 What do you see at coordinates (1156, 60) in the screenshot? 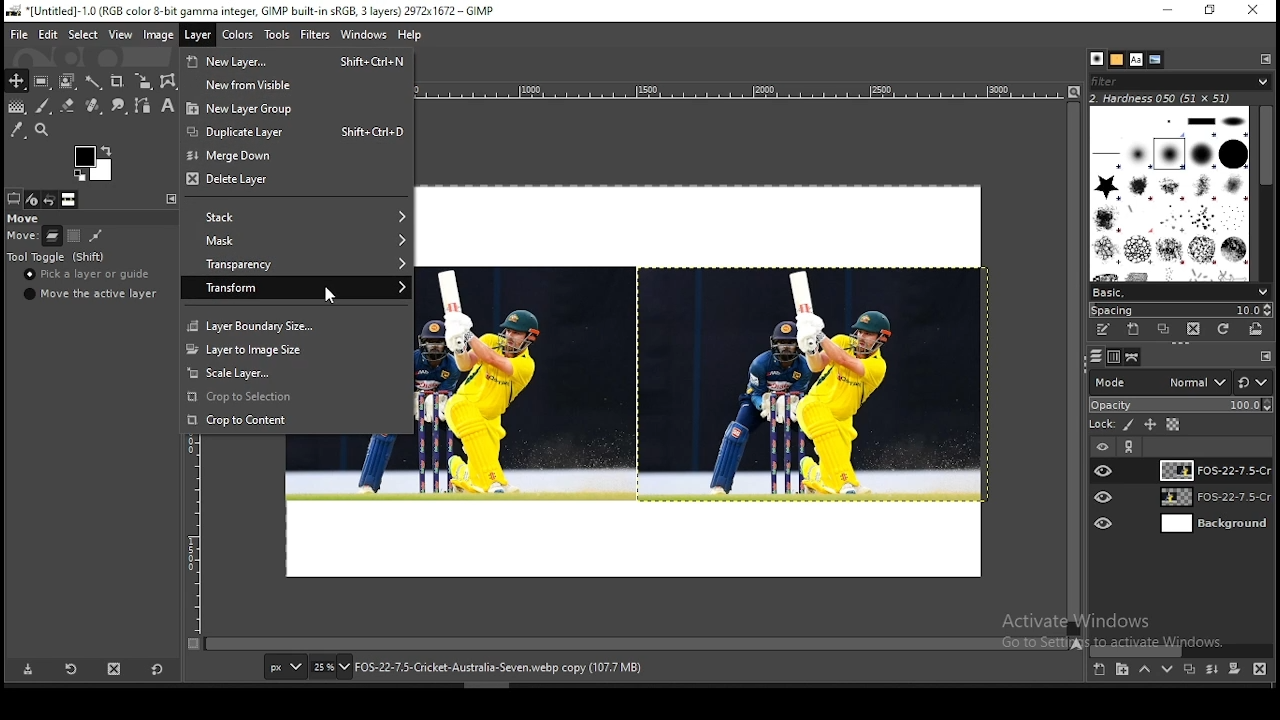
I see `document history` at bounding box center [1156, 60].